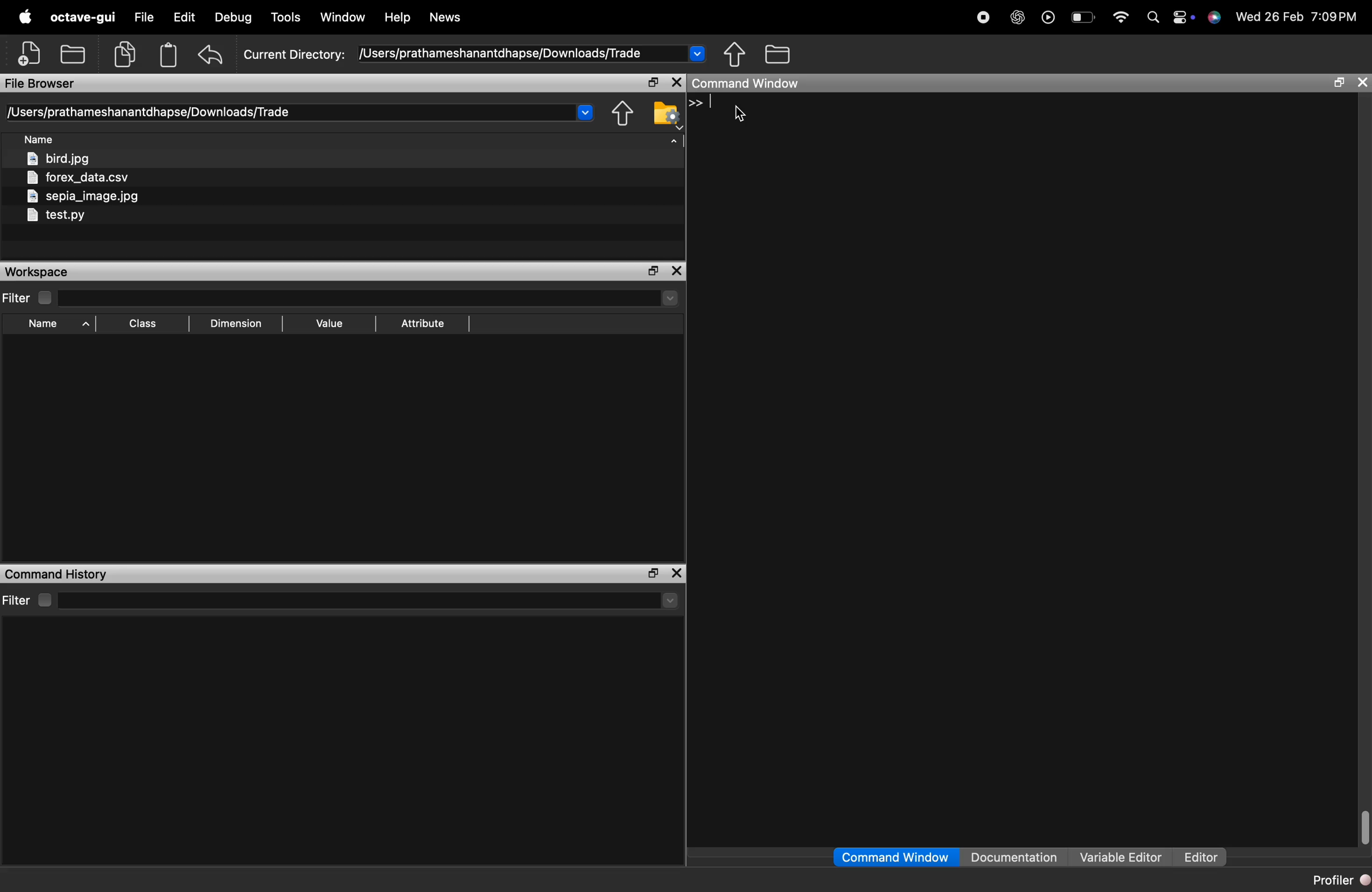 The width and height of the screenshot is (1372, 892). What do you see at coordinates (147, 18) in the screenshot?
I see `file` at bounding box center [147, 18].